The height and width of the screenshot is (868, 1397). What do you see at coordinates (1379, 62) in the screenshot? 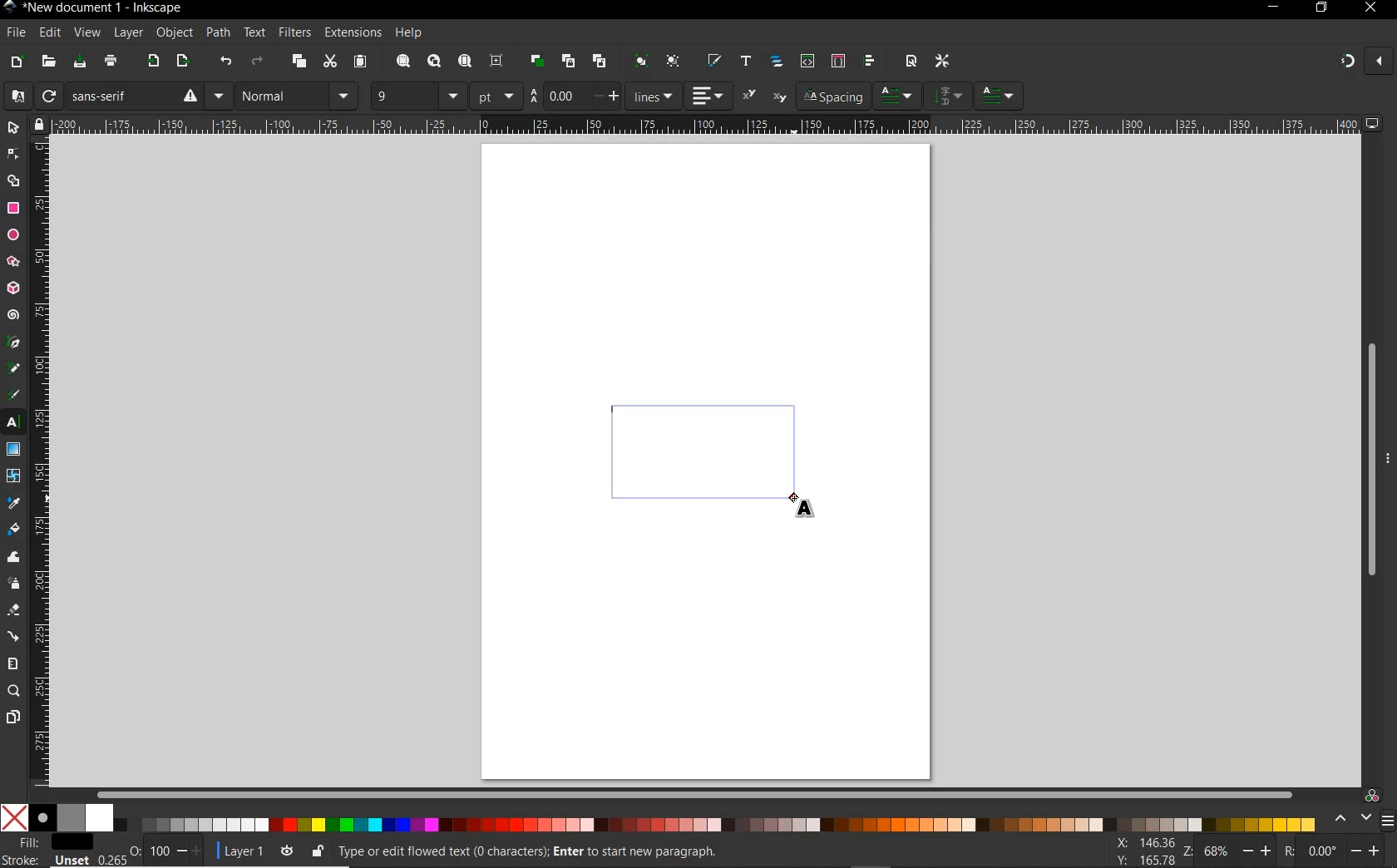
I see `close options` at bounding box center [1379, 62].